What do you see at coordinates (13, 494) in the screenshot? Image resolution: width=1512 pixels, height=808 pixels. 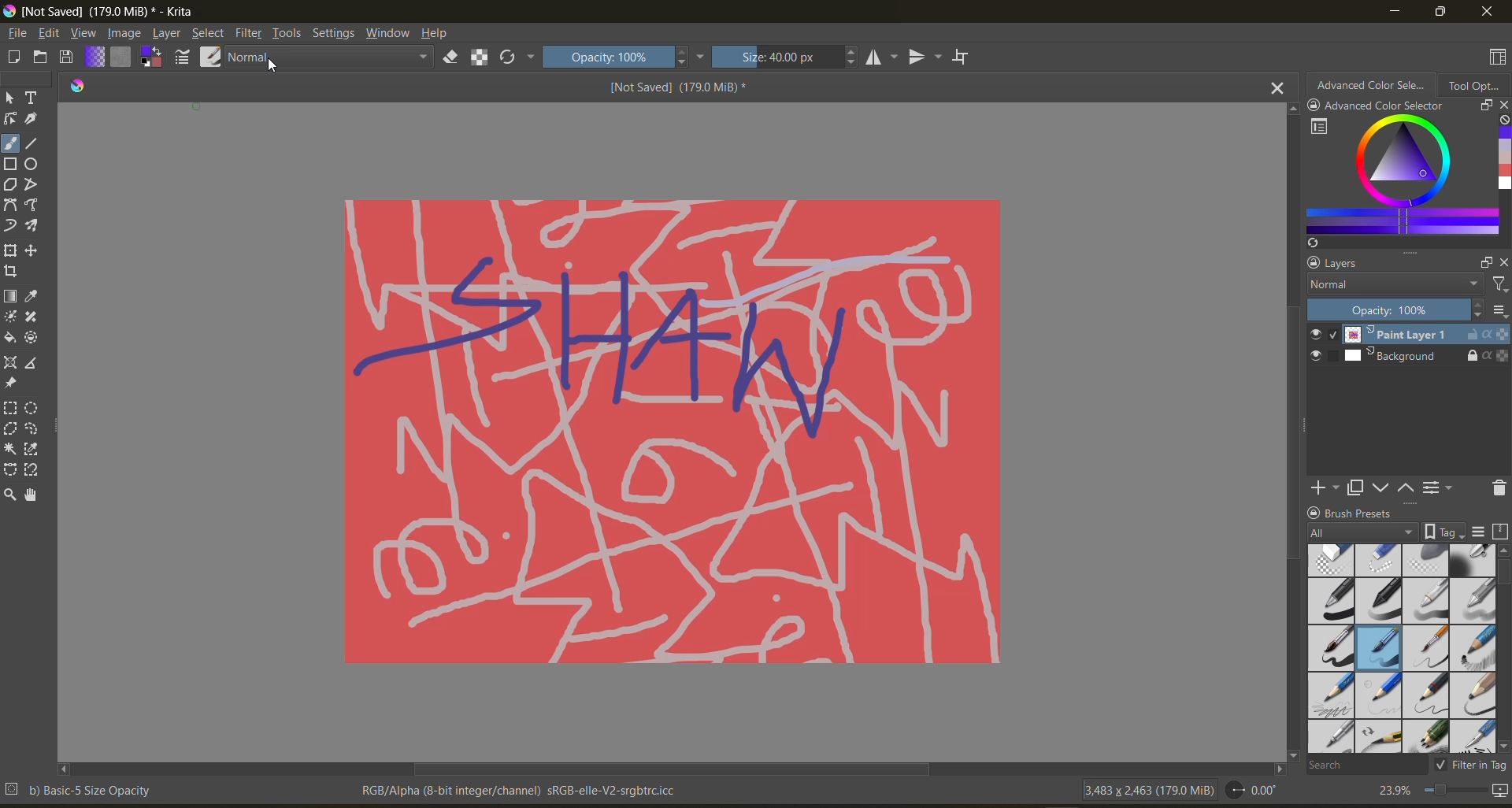 I see `zoom tool` at bounding box center [13, 494].